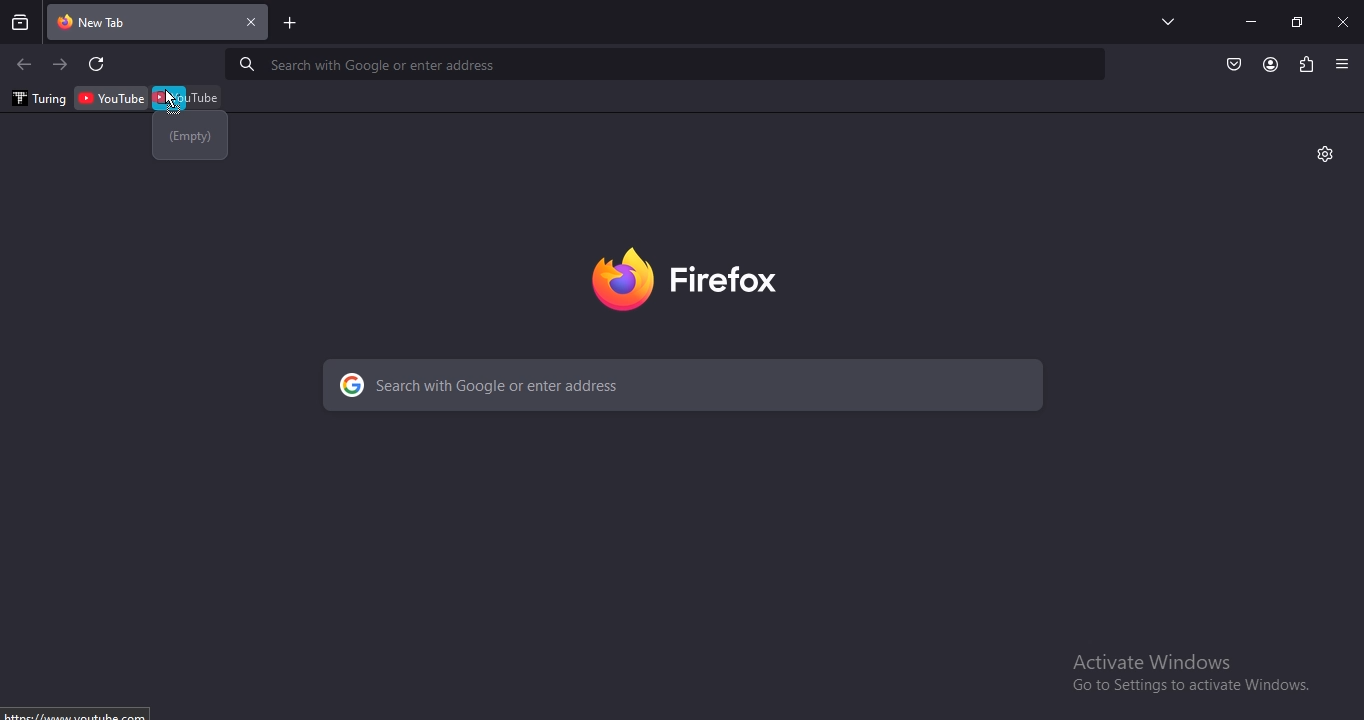 This screenshot has height=720, width=1364. Describe the element at coordinates (291, 25) in the screenshot. I see `new tab` at that location.